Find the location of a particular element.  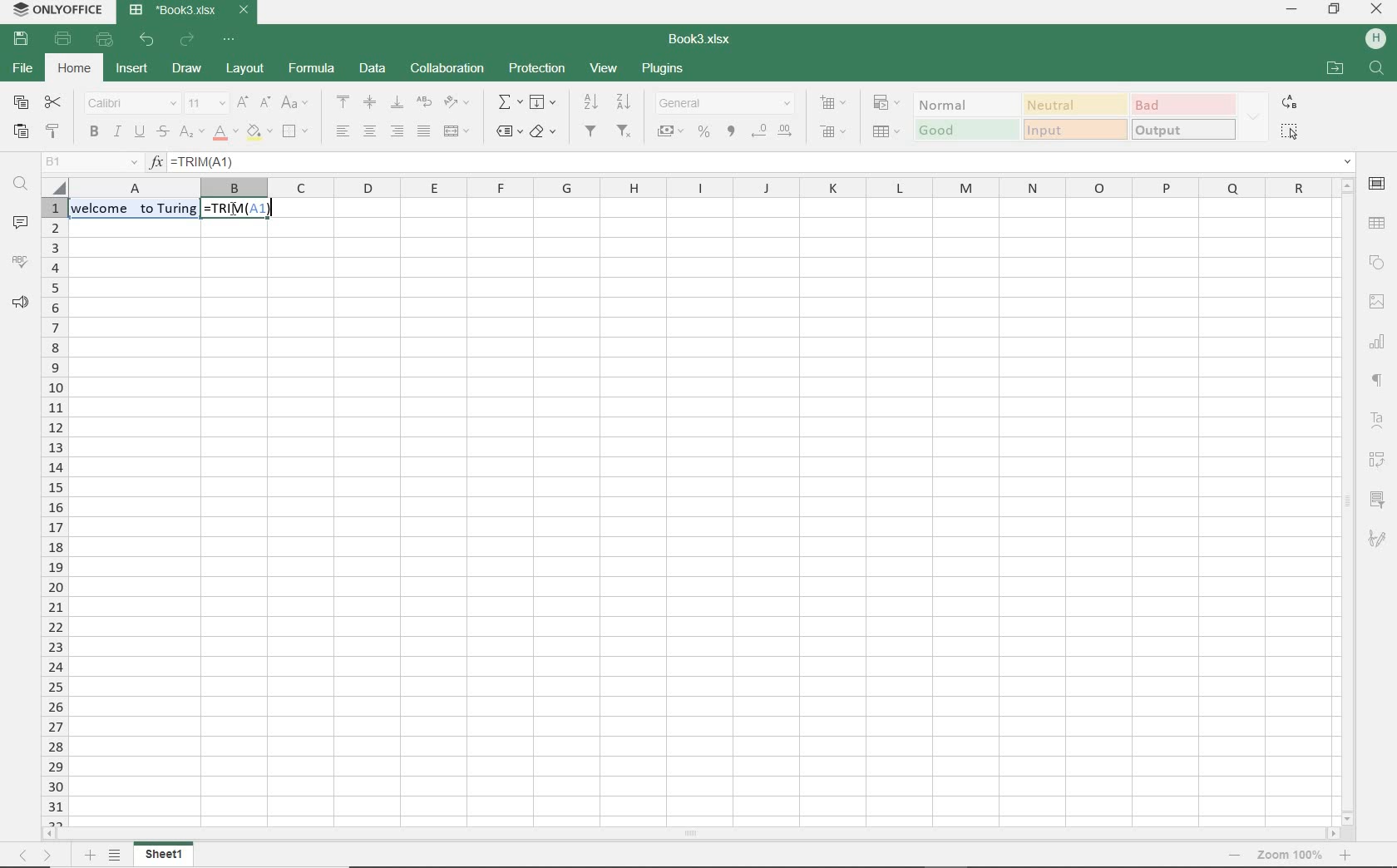

pivot table is located at coordinates (1380, 461).